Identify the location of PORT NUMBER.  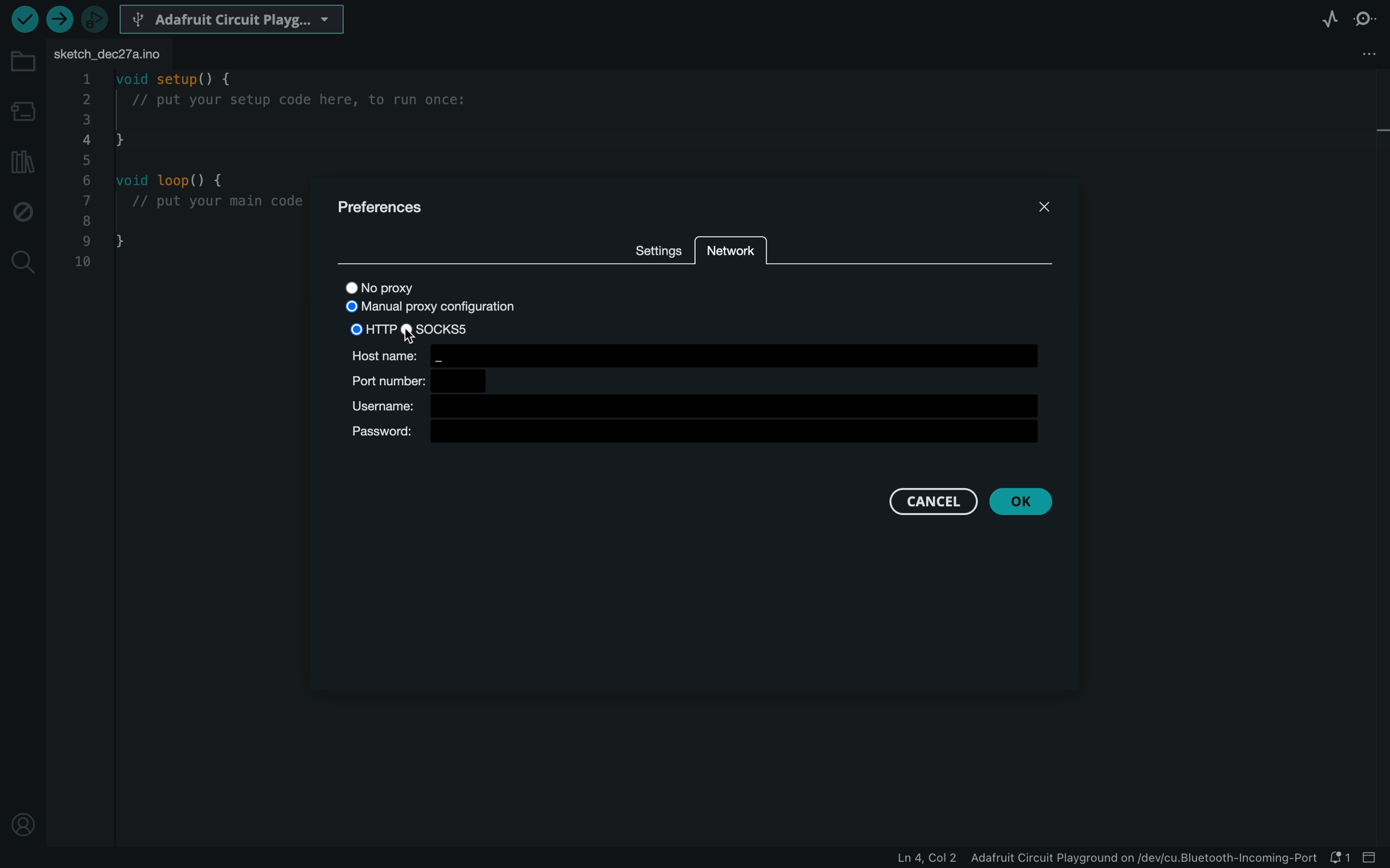
(428, 381).